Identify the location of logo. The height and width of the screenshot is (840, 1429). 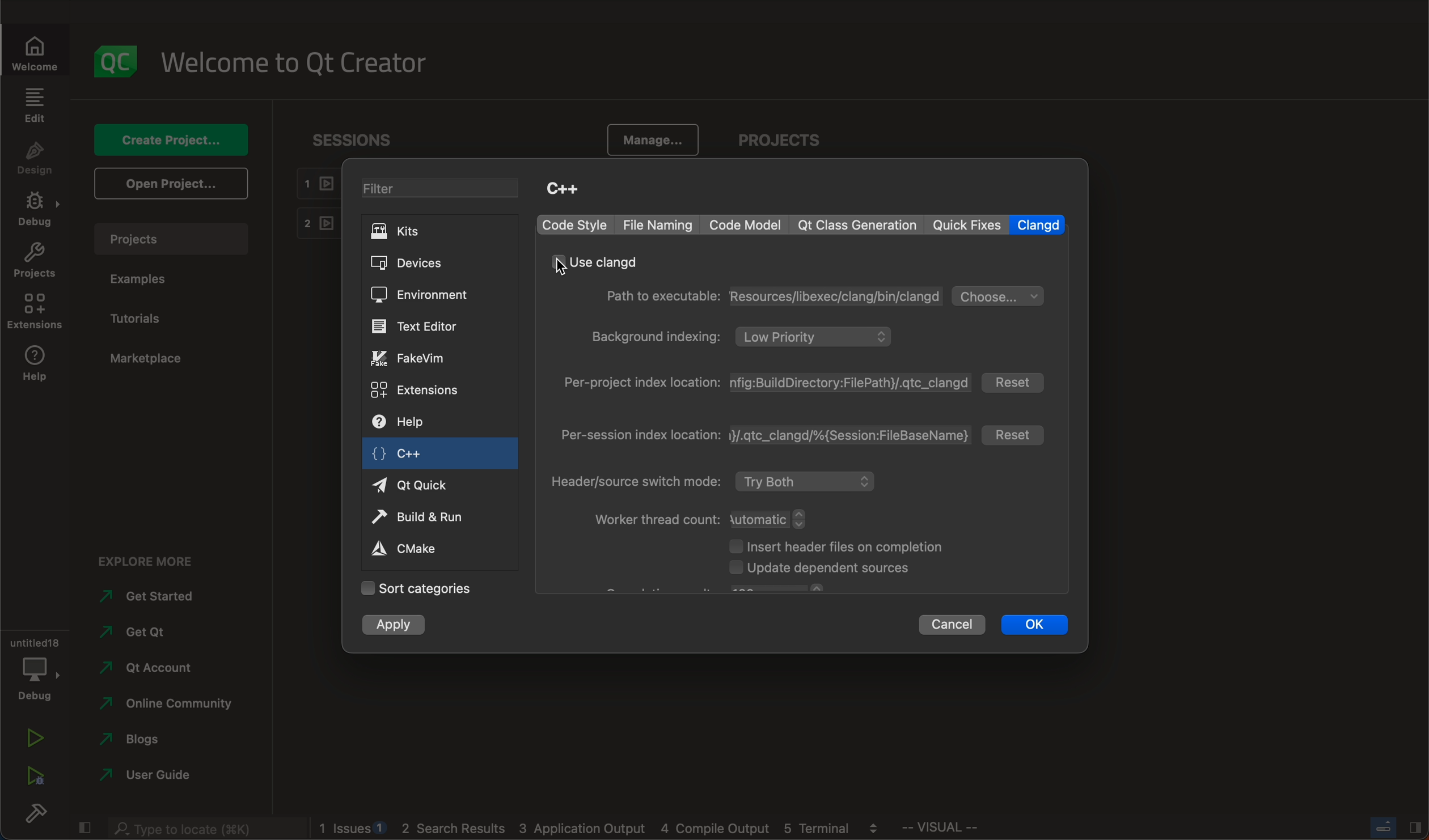
(113, 58).